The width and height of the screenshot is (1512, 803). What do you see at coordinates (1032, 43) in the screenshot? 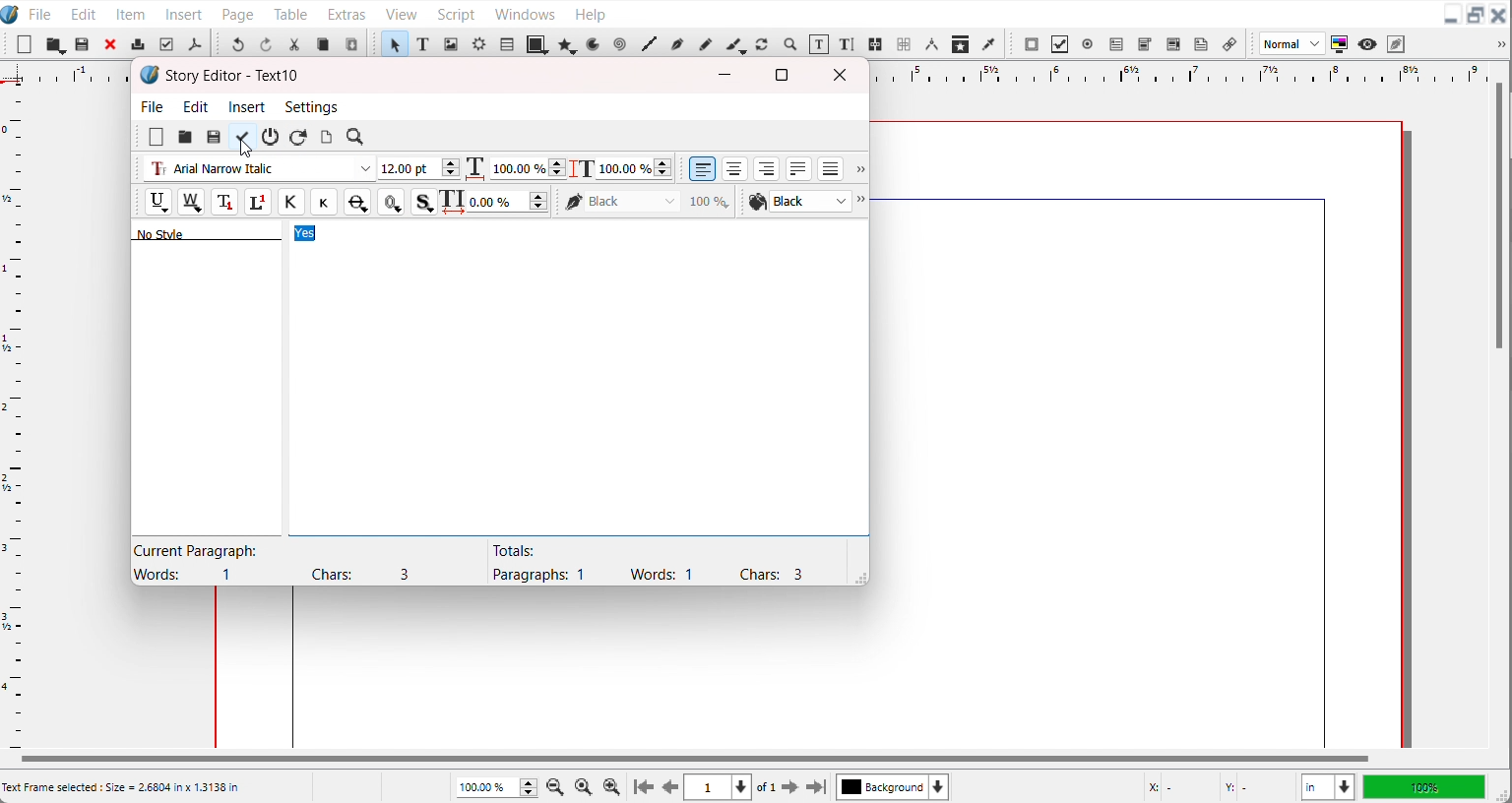
I see `PDF Push button` at bounding box center [1032, 43].